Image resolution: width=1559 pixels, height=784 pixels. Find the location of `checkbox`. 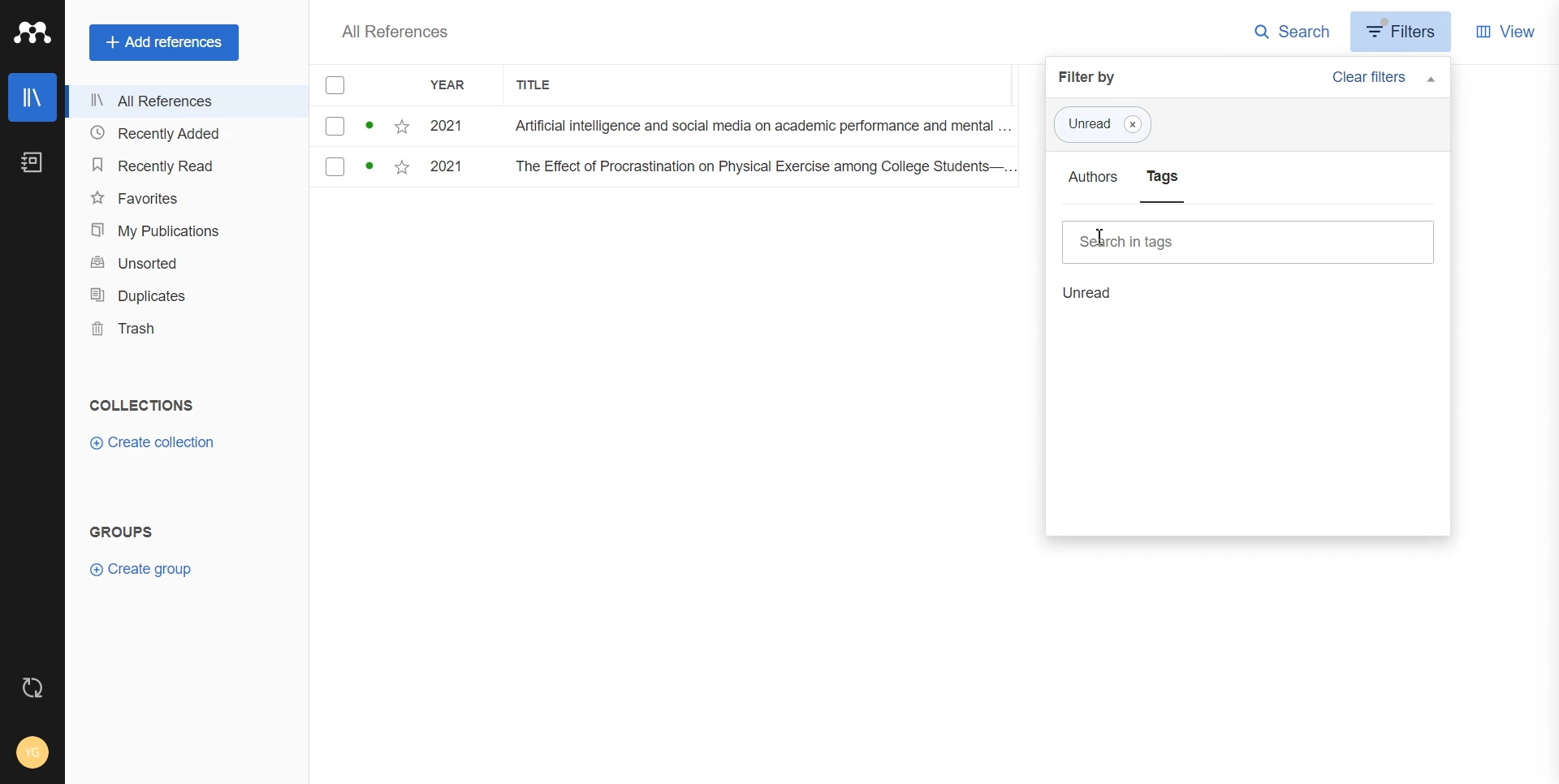

checkbox is located at coordinates (363, 127).